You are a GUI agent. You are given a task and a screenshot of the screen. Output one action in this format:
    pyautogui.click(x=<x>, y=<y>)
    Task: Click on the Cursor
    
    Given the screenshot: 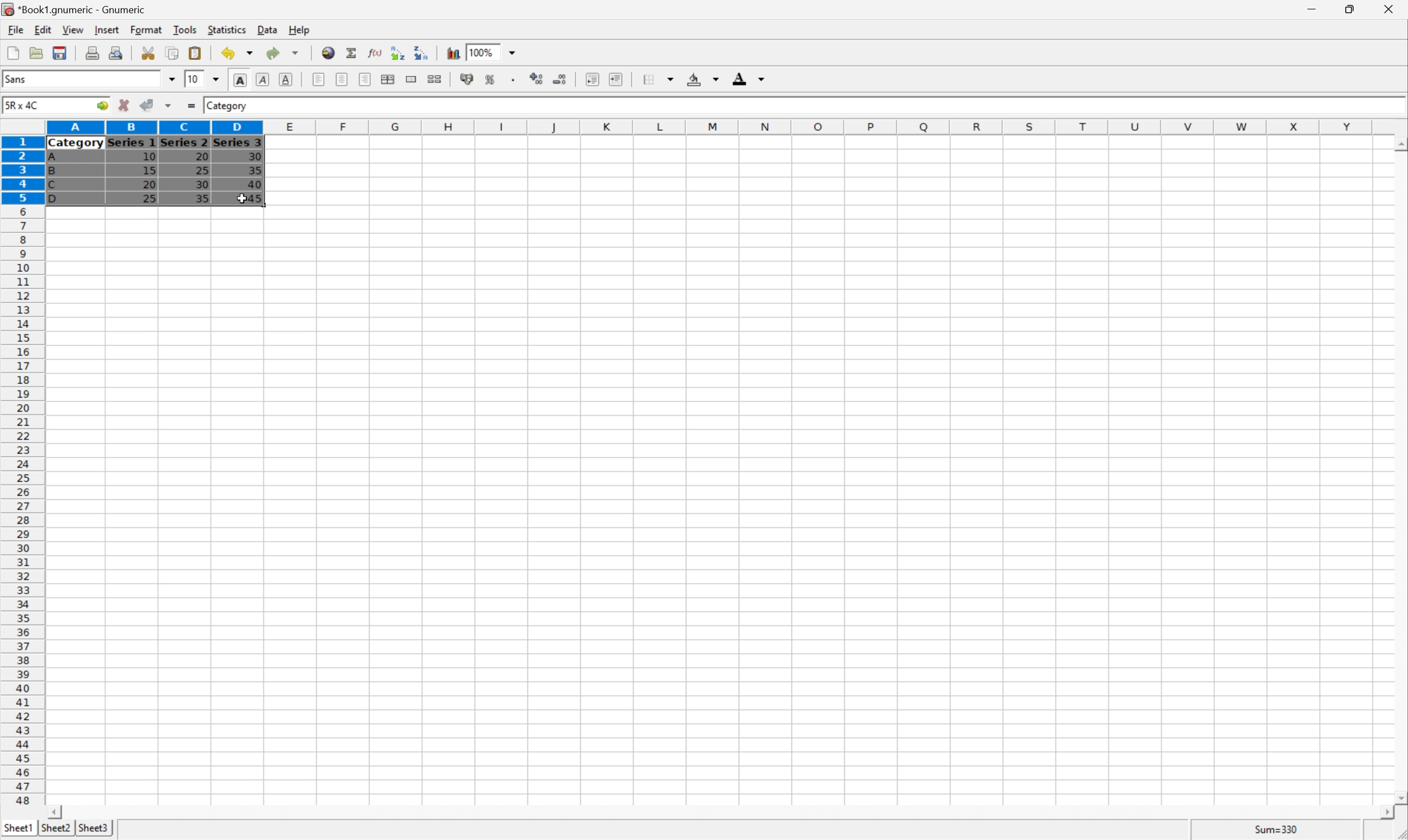 What is the action you would take?
    pyautogui.click(x=242, y=199)
    